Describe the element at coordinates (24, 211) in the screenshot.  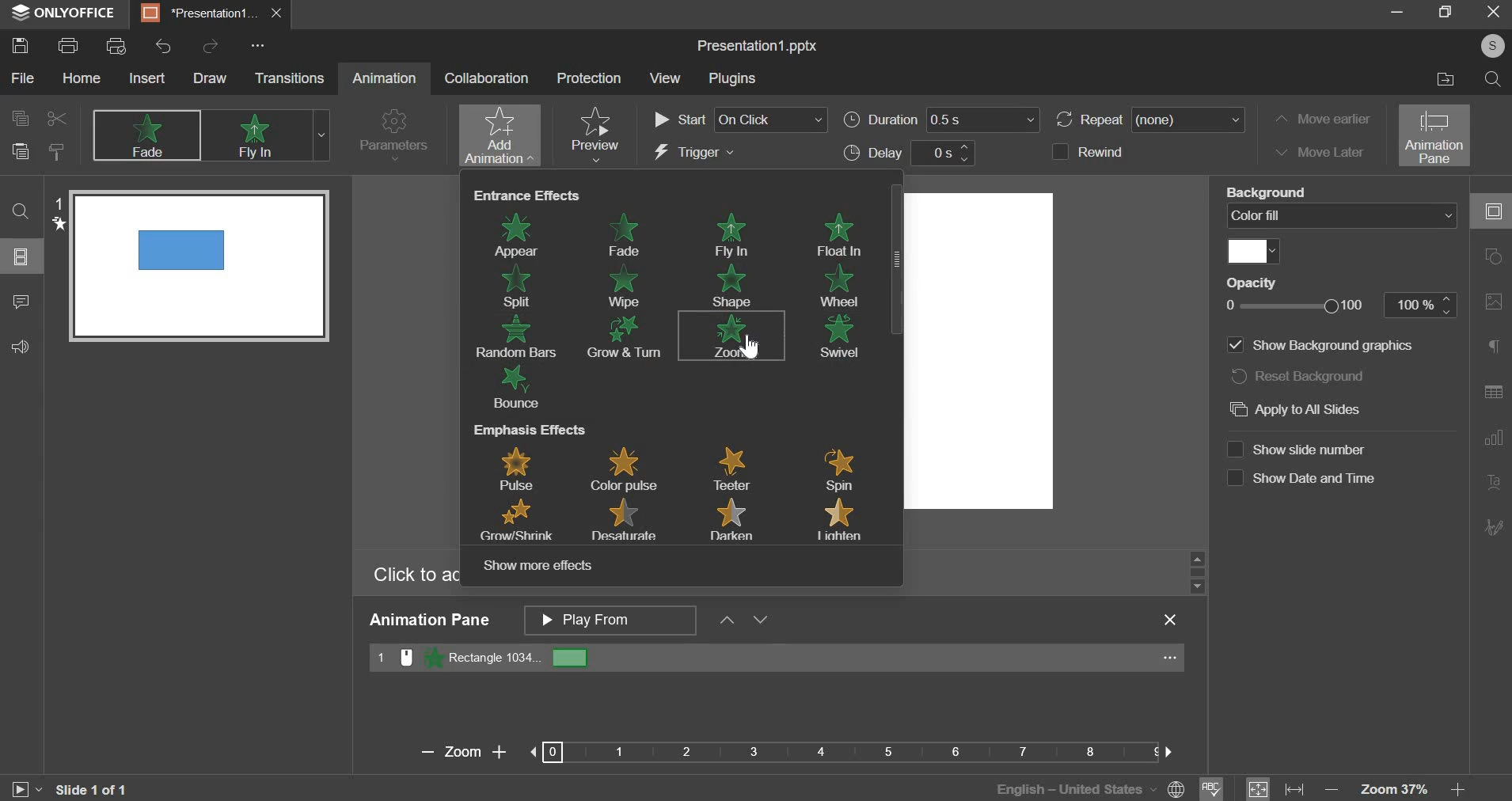
I see `search` at that location.